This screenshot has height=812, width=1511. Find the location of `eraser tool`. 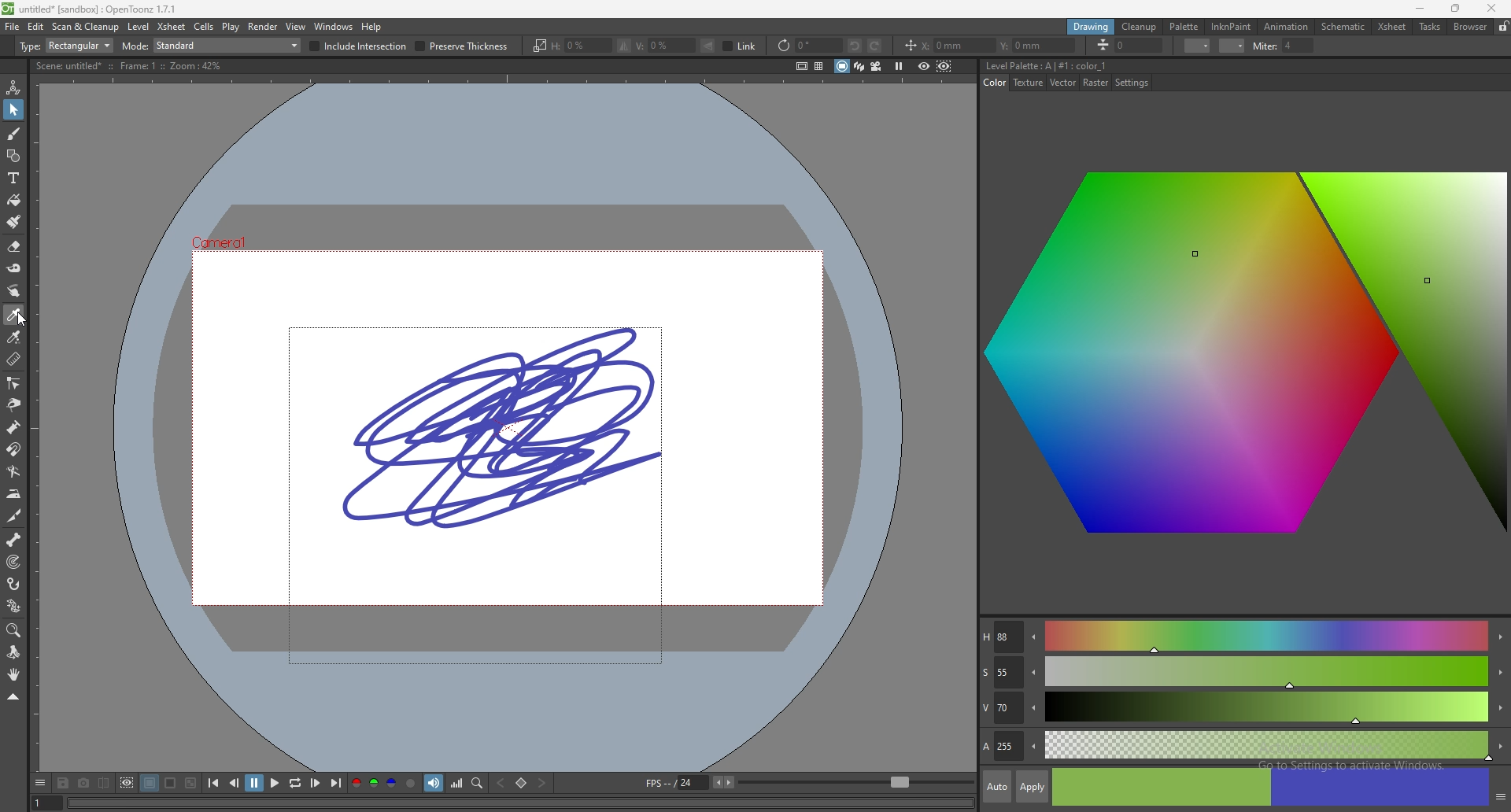

eraser tool is located at coordinates (14, 246).